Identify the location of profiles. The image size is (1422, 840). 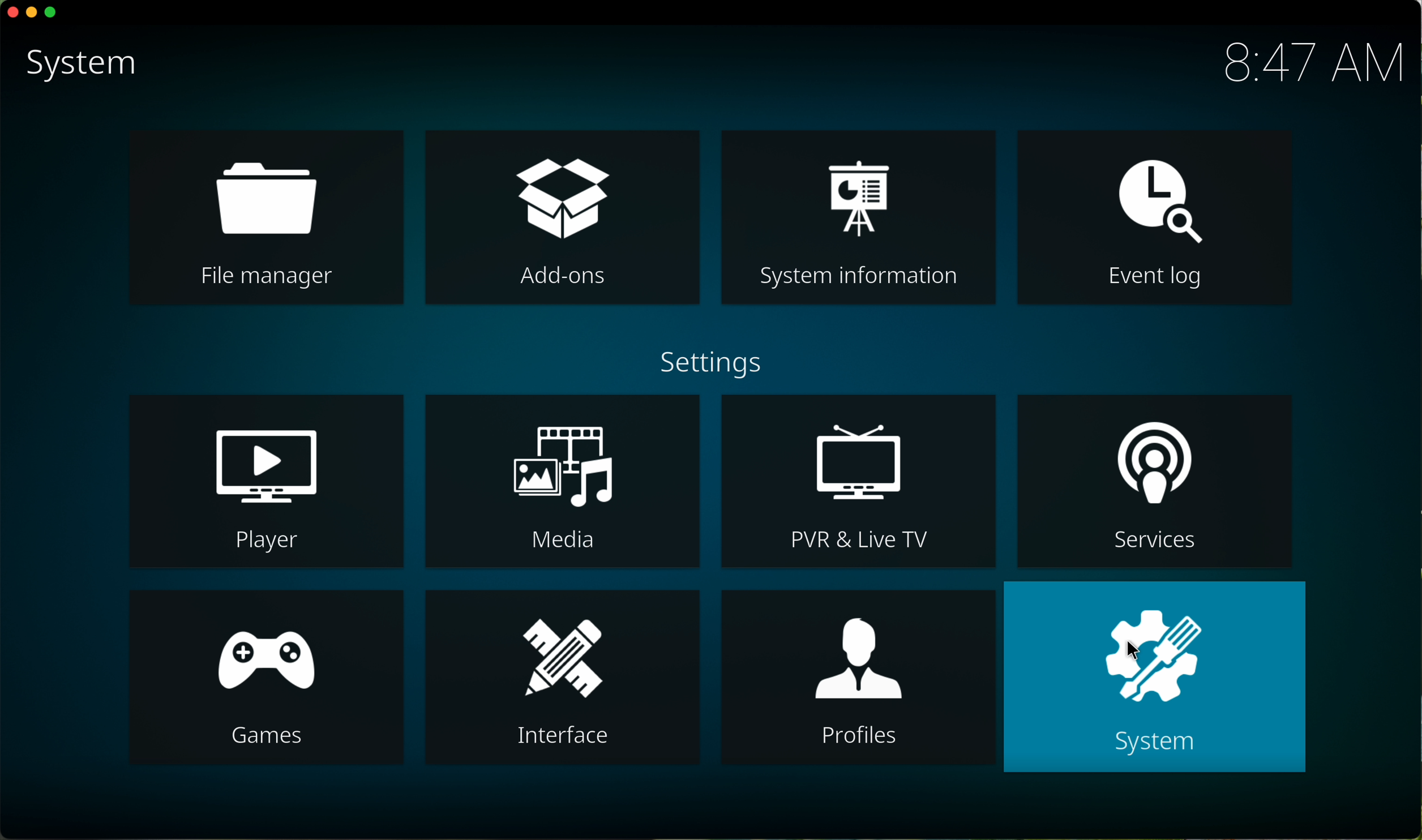
(858, 676).